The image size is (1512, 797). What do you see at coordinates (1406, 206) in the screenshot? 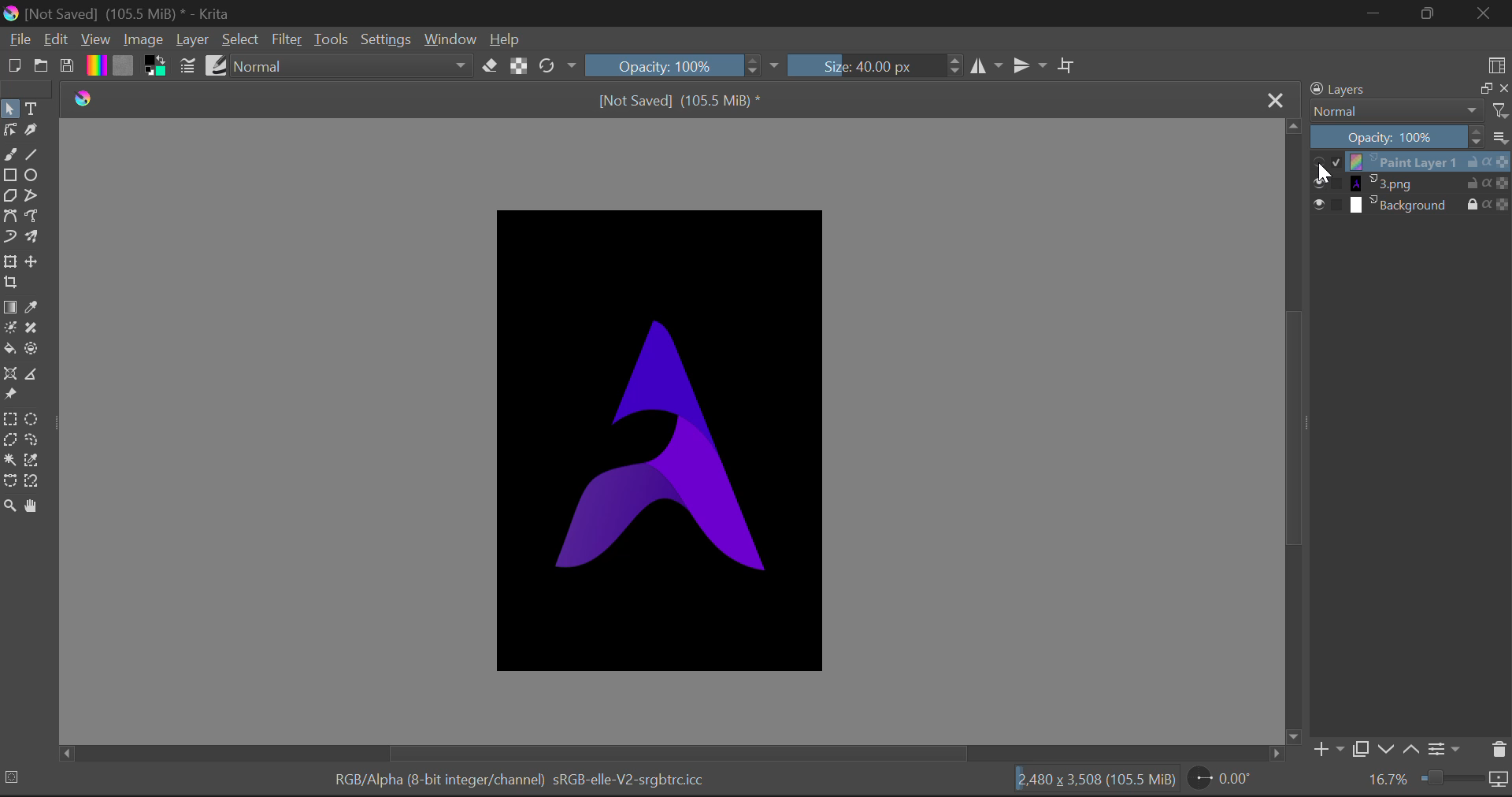
I see `Background` at bounding box center [1406, 206].